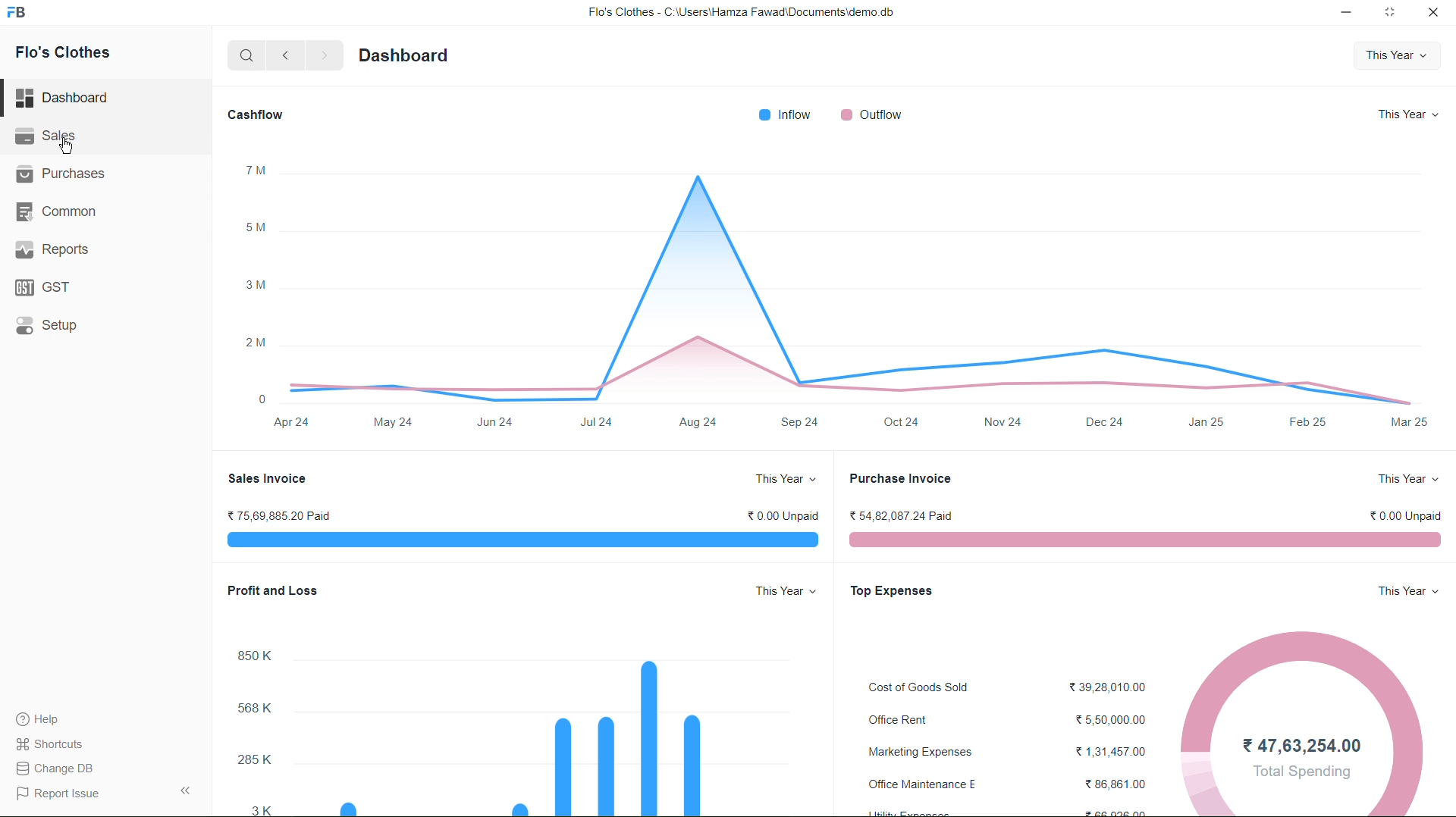  I want to click on Rs. 5,50,000.00, so click(1106, 718).